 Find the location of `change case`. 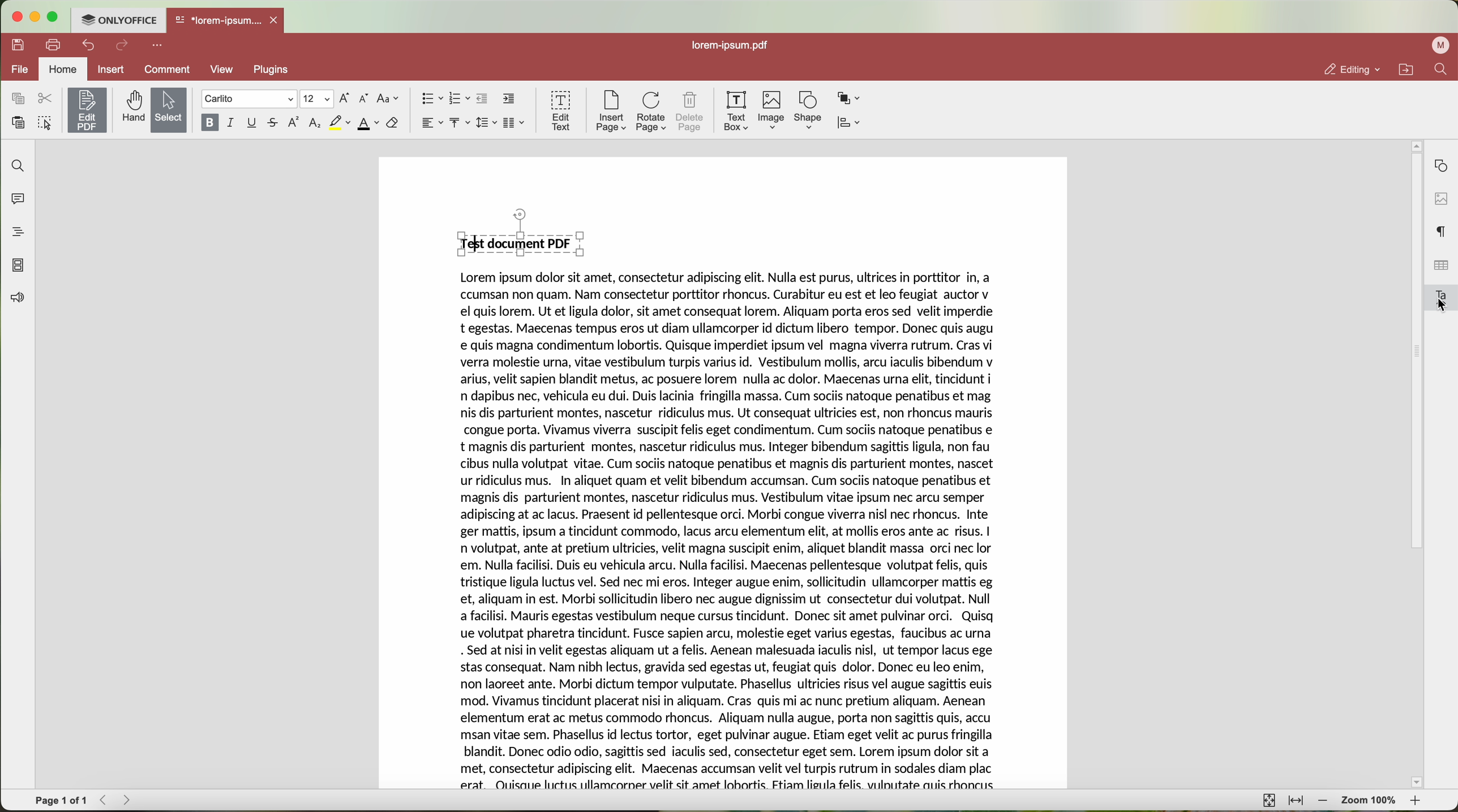

change case is located at coordinates (389, 98).